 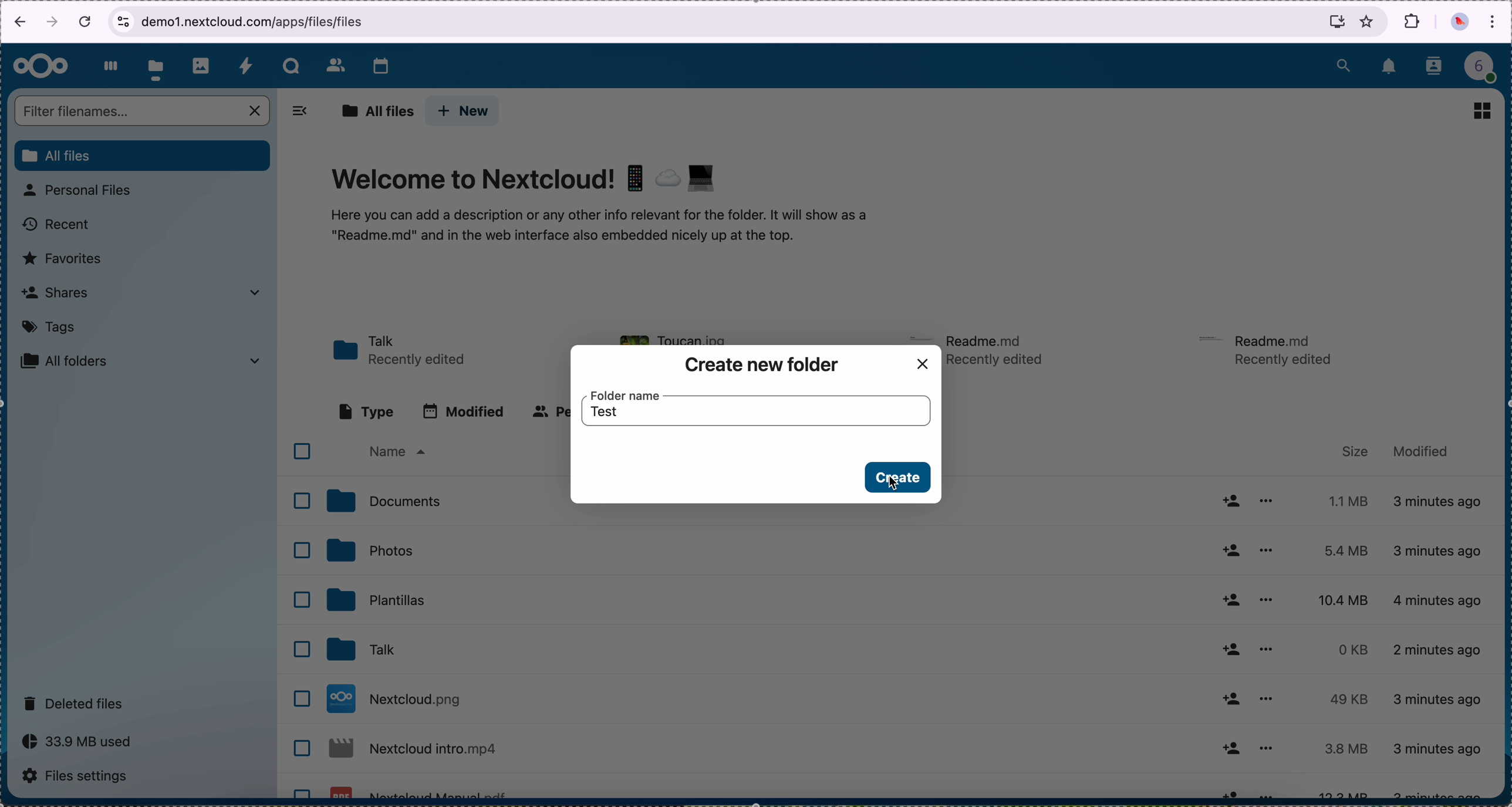 I want to click on 4 minutes ago, so click(x=1439, y=748).